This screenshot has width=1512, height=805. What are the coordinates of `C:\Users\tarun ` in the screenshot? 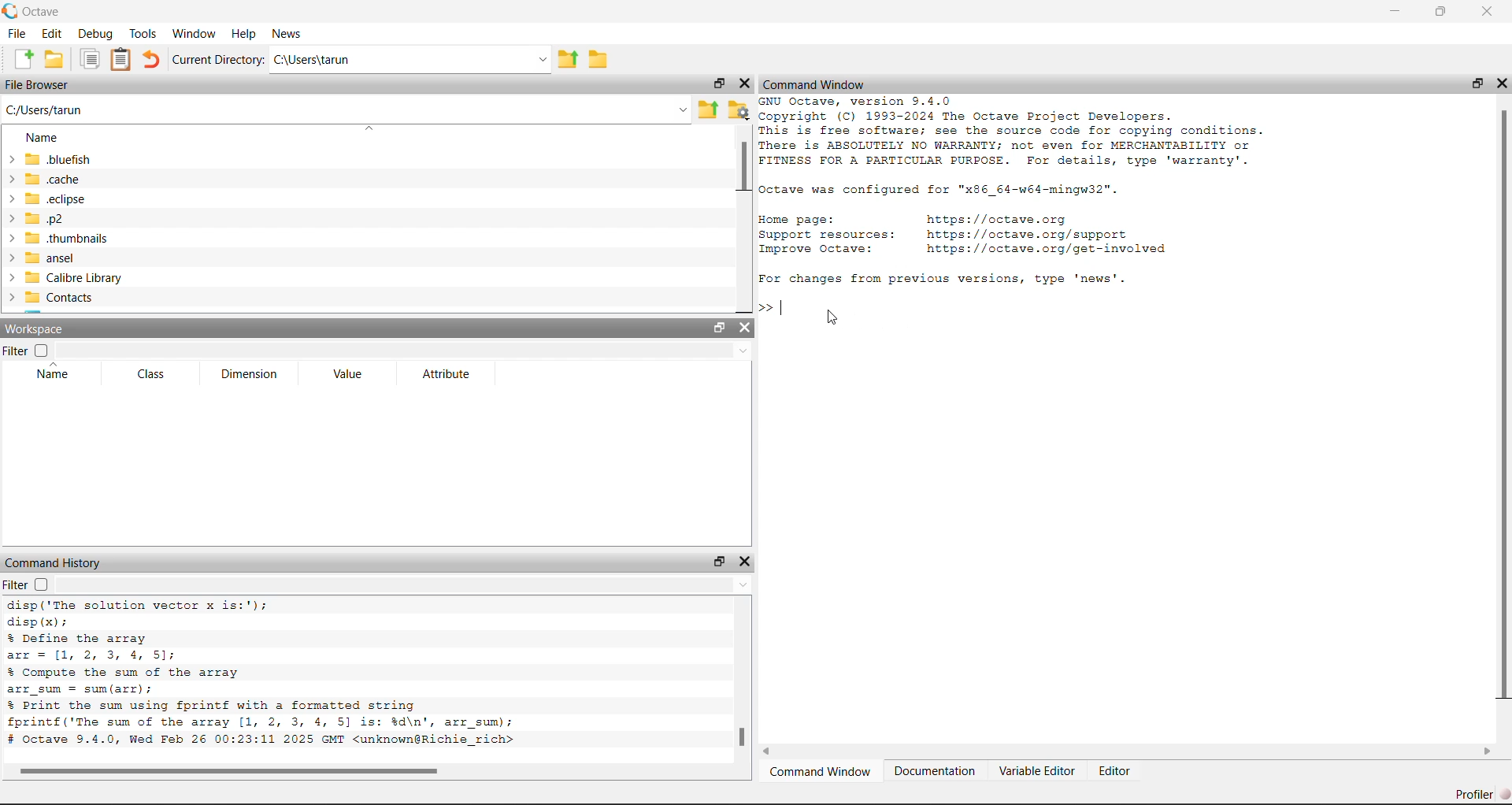 It's located at (413, 61).